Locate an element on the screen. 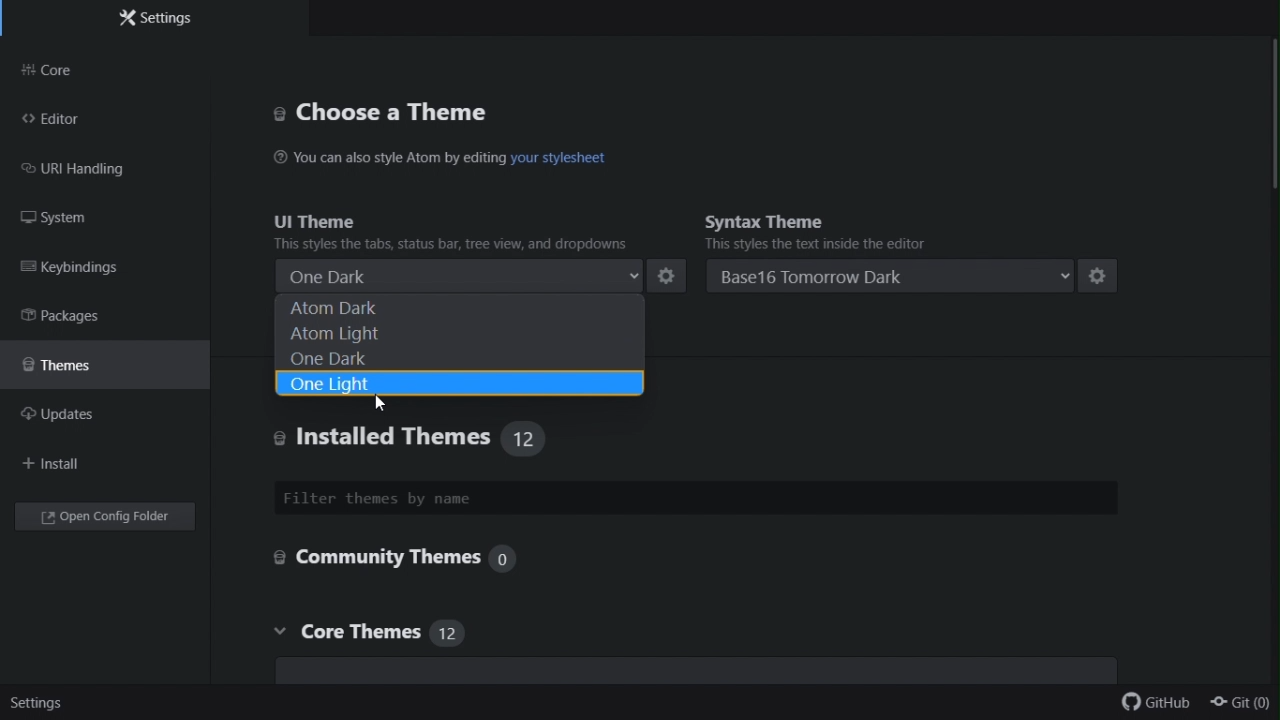 The height and width of the screenshot is (720, 1280). key bindings is located at coordinates (105, 271).